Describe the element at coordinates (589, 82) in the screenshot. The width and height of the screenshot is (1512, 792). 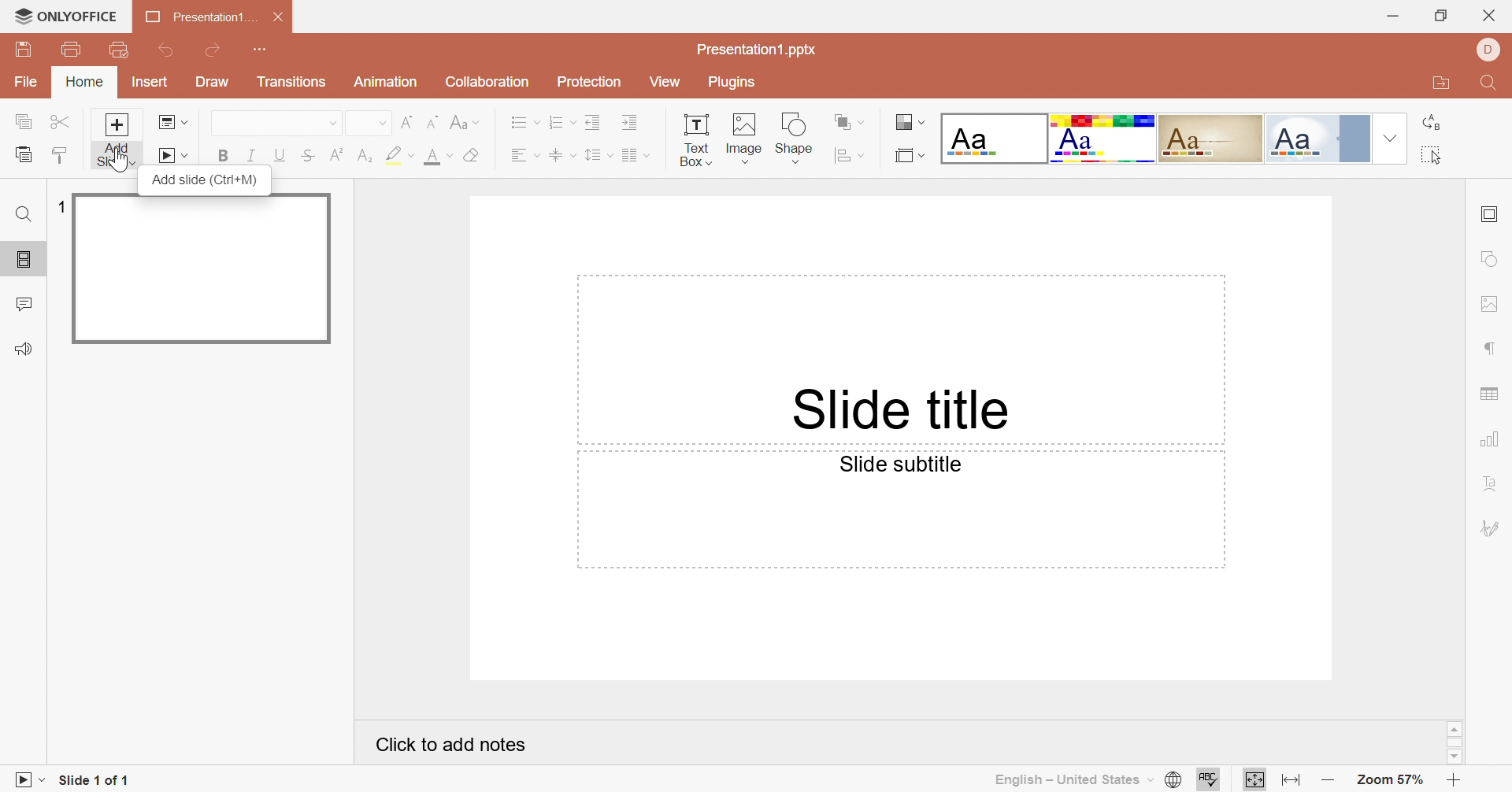
I see `Protection` at that location.